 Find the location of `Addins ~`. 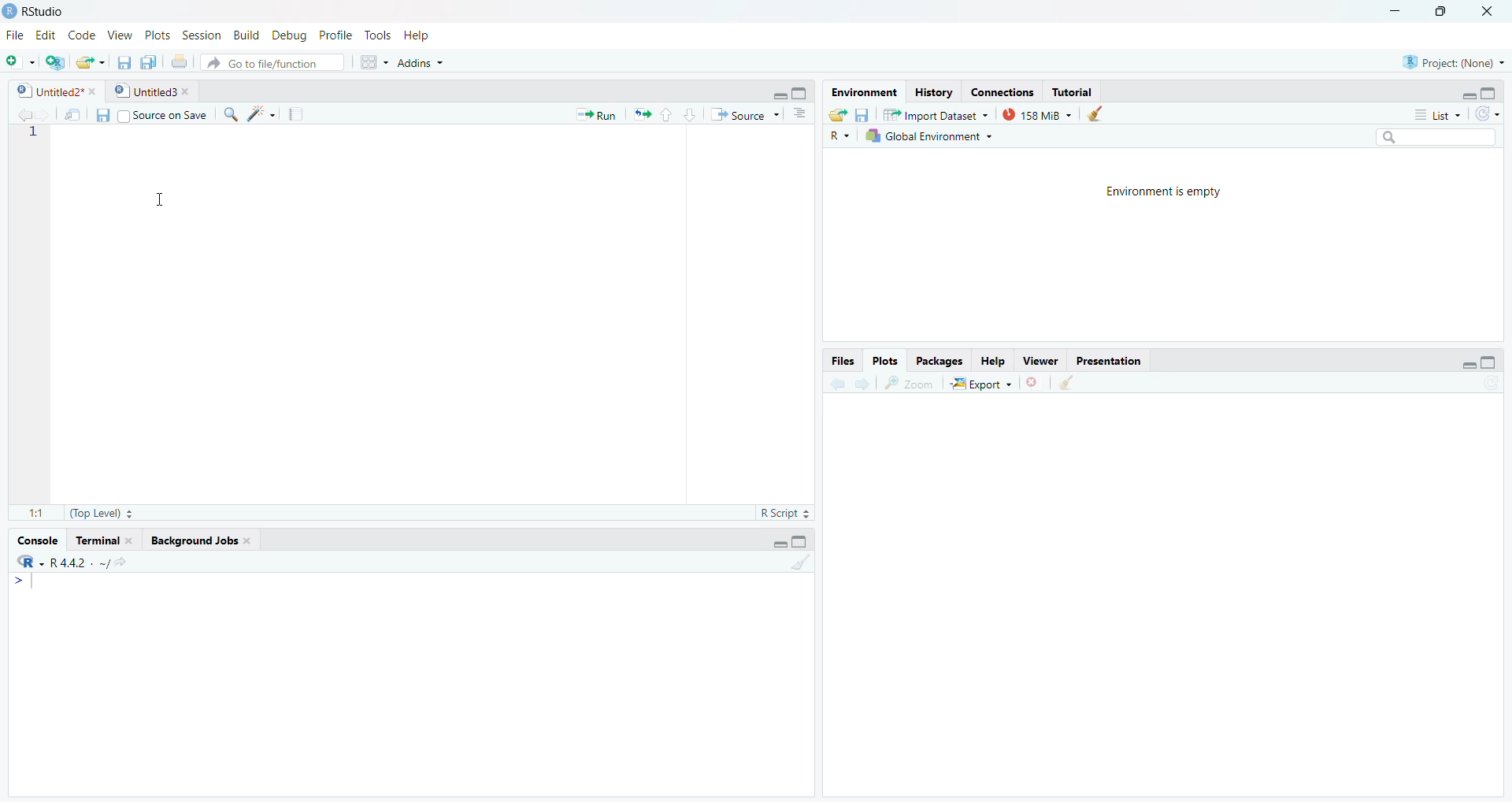

Addins ~ is located at coordinates (423, 66).